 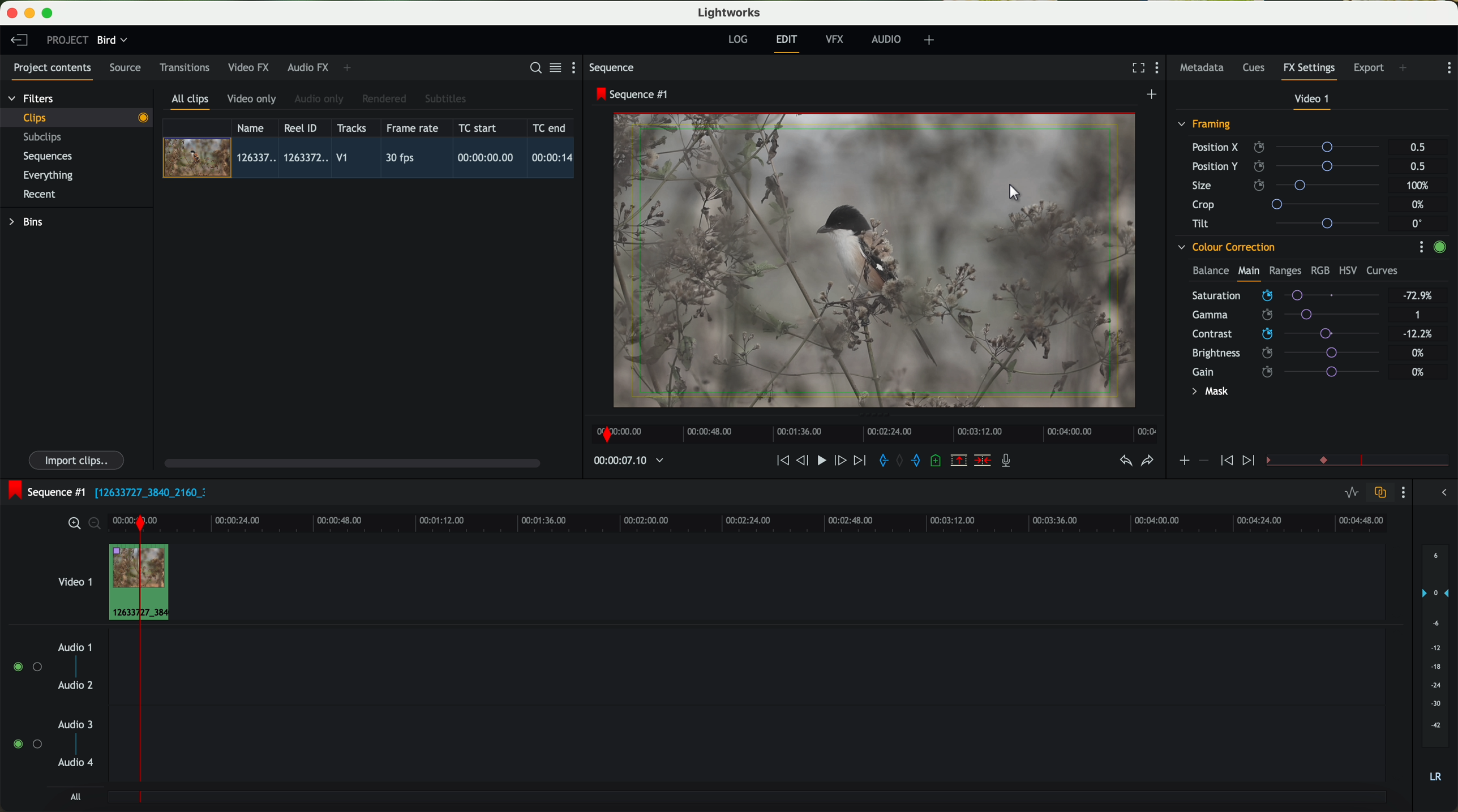 What do you see at coordinates (112, 41) in the screenshot?
I see `bird` at bounding box center [112, 41].